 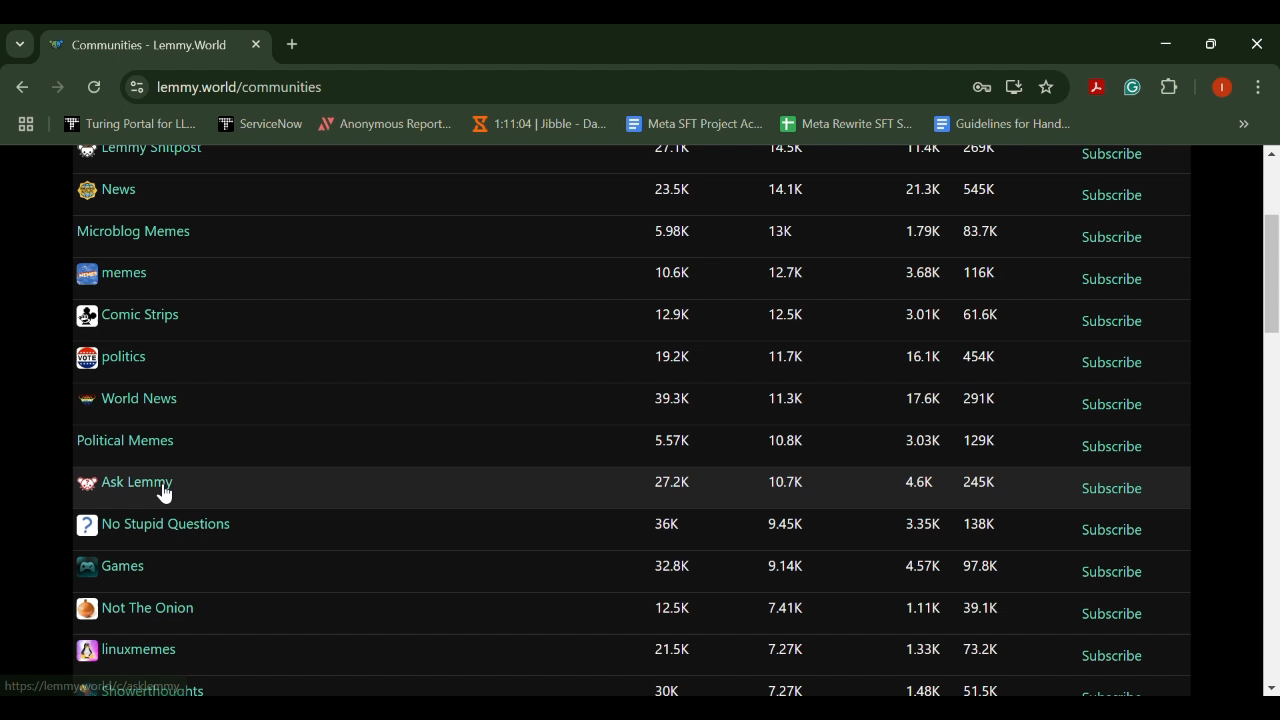 What do you see at coordinates (114, 358) in the screenshot?
I see `politics` at bounding box center [114, 358].